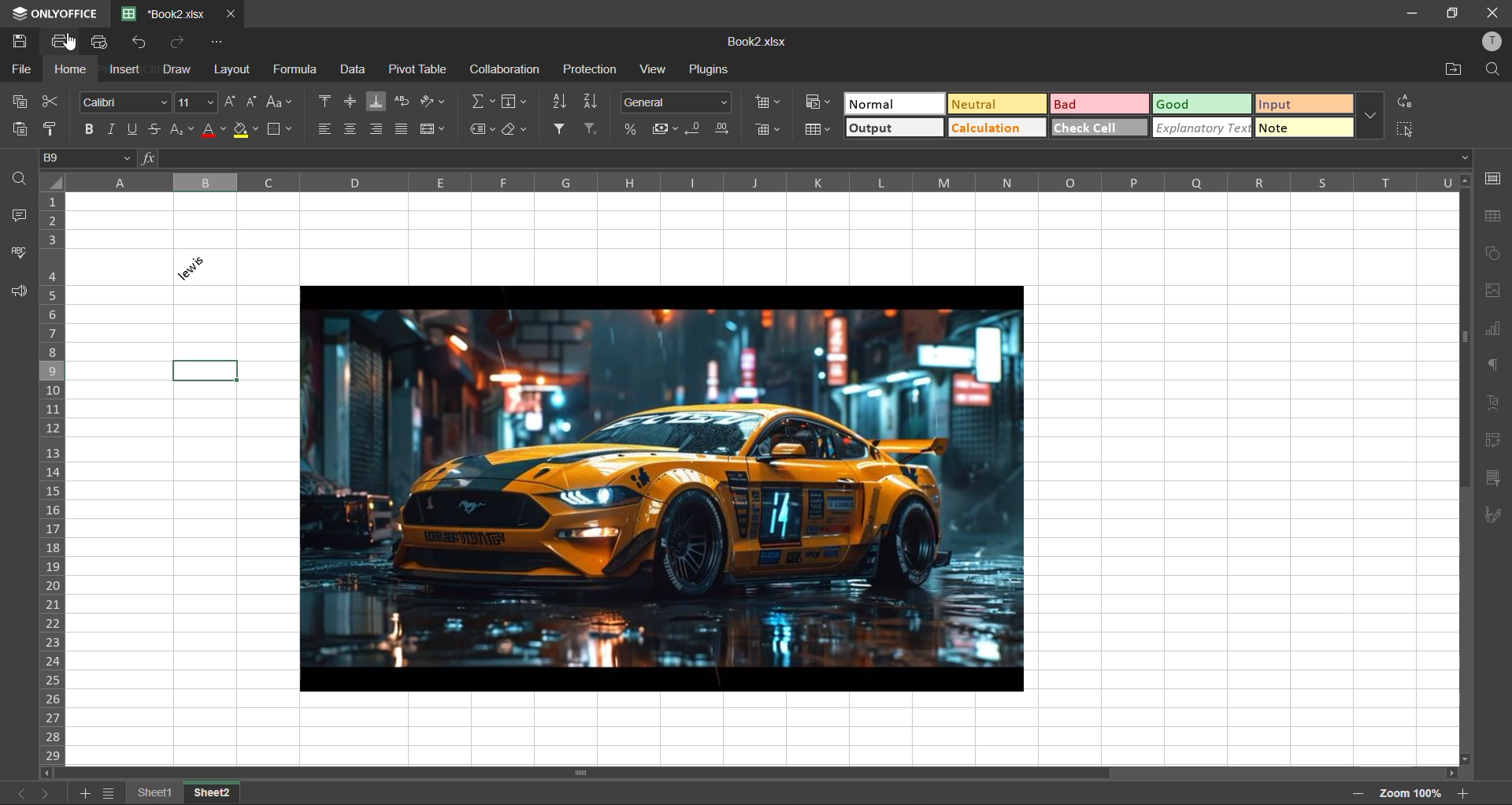 Image resolution: width=1512 pixels, height=805 pixels. Describe the element at coordinates (1369, 116) in the screenshot. I see `more options` at that location.